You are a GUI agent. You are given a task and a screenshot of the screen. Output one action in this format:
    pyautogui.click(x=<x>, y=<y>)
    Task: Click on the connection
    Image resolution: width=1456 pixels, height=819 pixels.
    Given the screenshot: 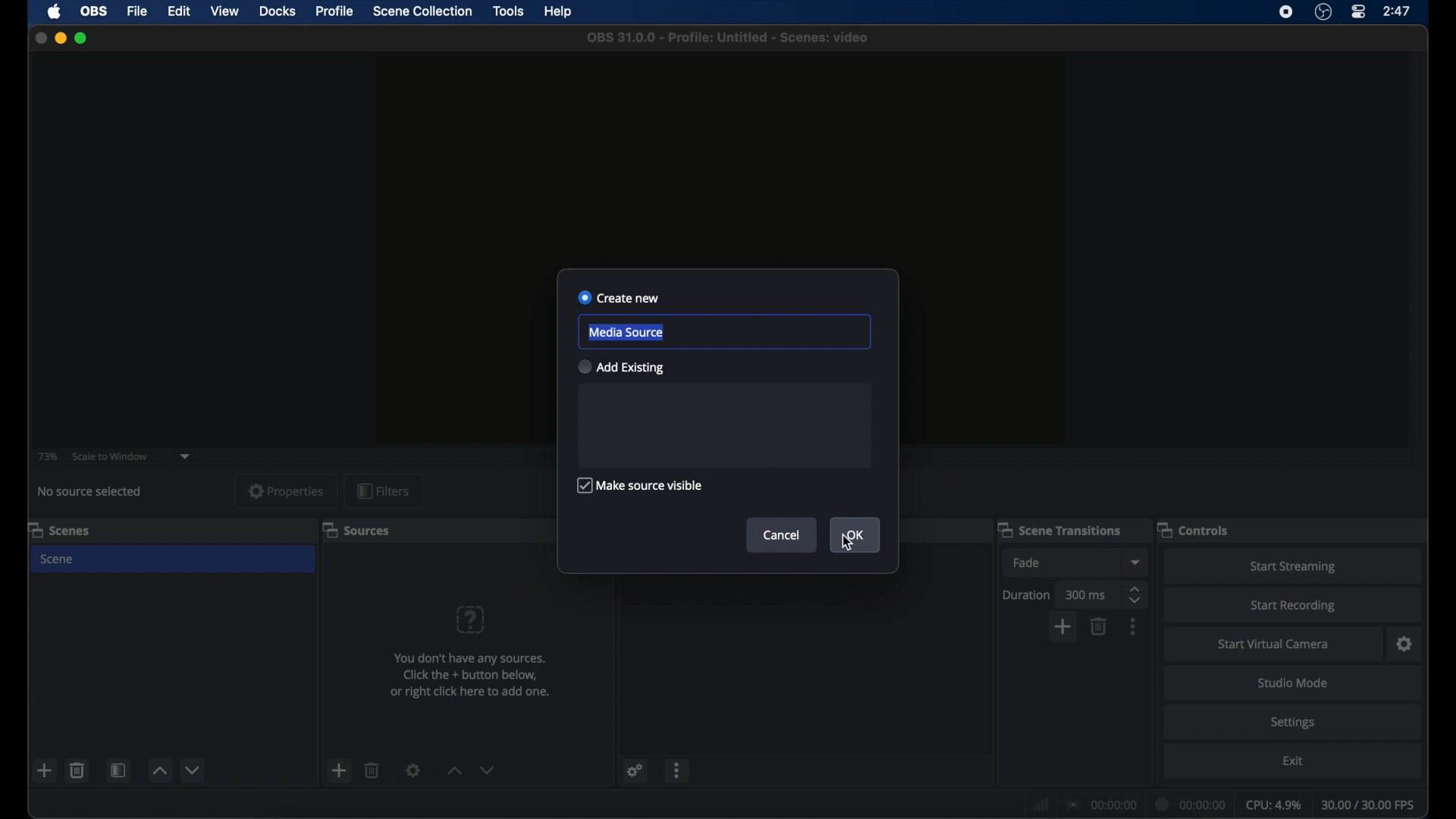 What is the action you would take?
    pyautogui.click(x=1102, y=805)
    